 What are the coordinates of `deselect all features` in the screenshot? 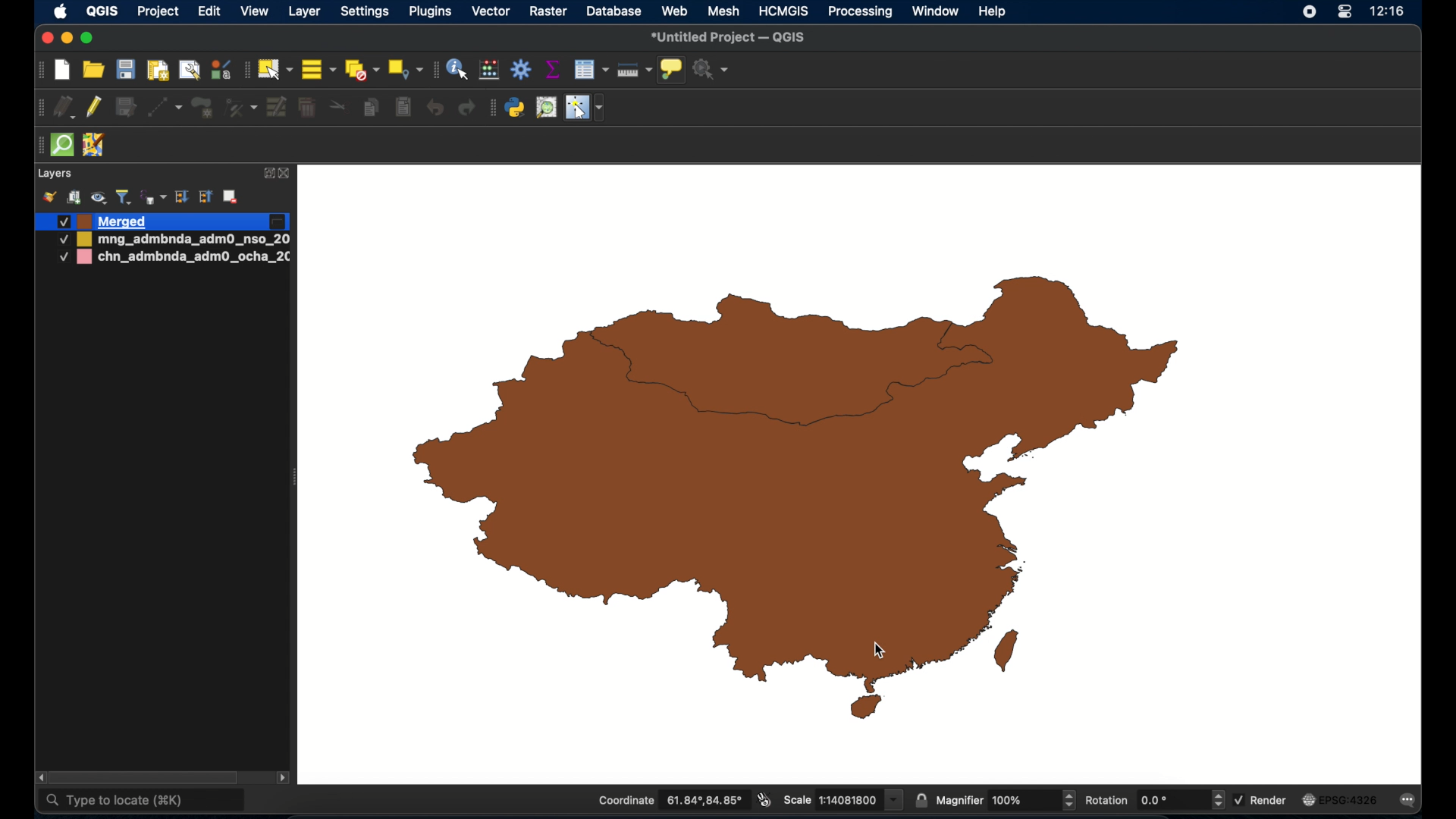 It's located at (362, 71).